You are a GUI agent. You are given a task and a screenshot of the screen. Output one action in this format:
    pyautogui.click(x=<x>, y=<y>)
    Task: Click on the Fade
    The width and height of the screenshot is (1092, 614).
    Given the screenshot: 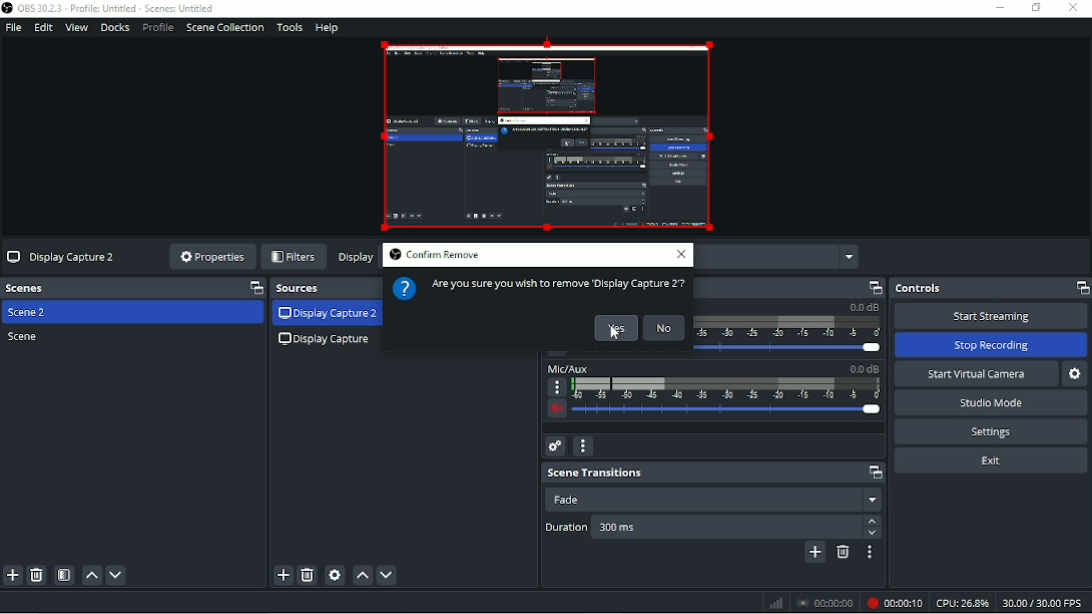 What is the action you would take?
    pyautogui.click(x=713, y=499)
    